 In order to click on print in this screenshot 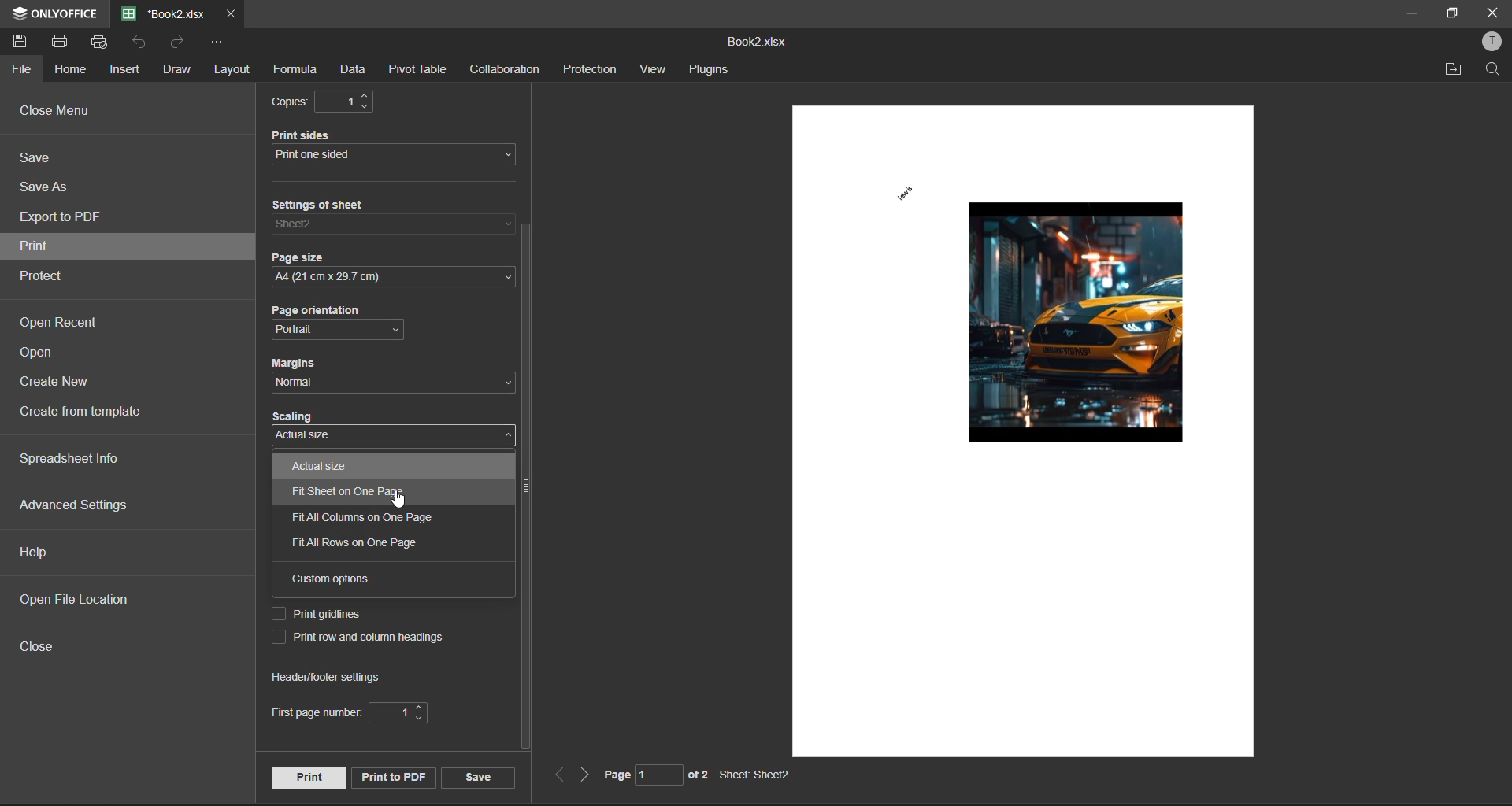, I will do `click(57, 248)`.